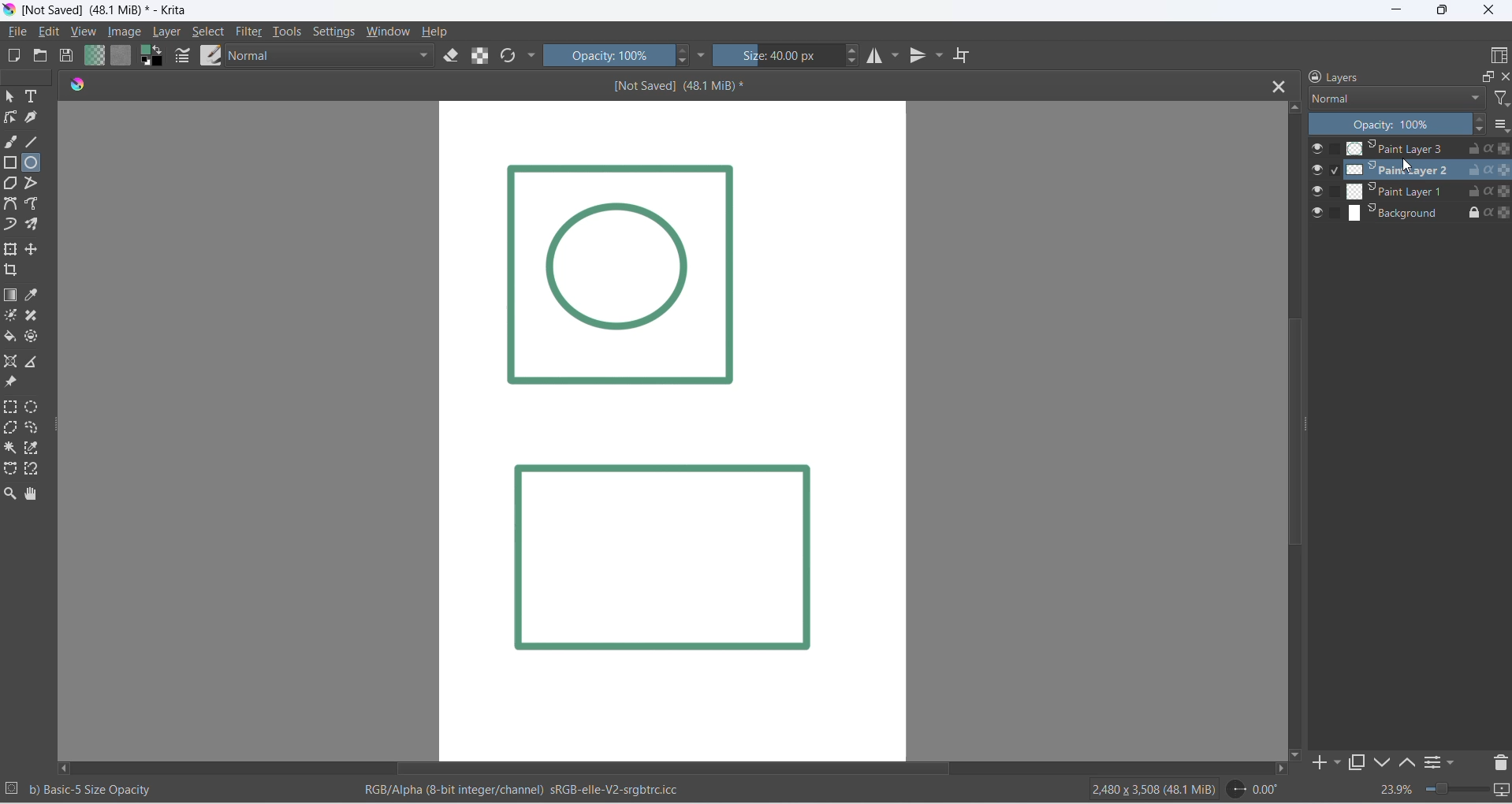  Describe the element at coordinates (482, 56) in the screenshot. I see `preserve alpha` at that location.